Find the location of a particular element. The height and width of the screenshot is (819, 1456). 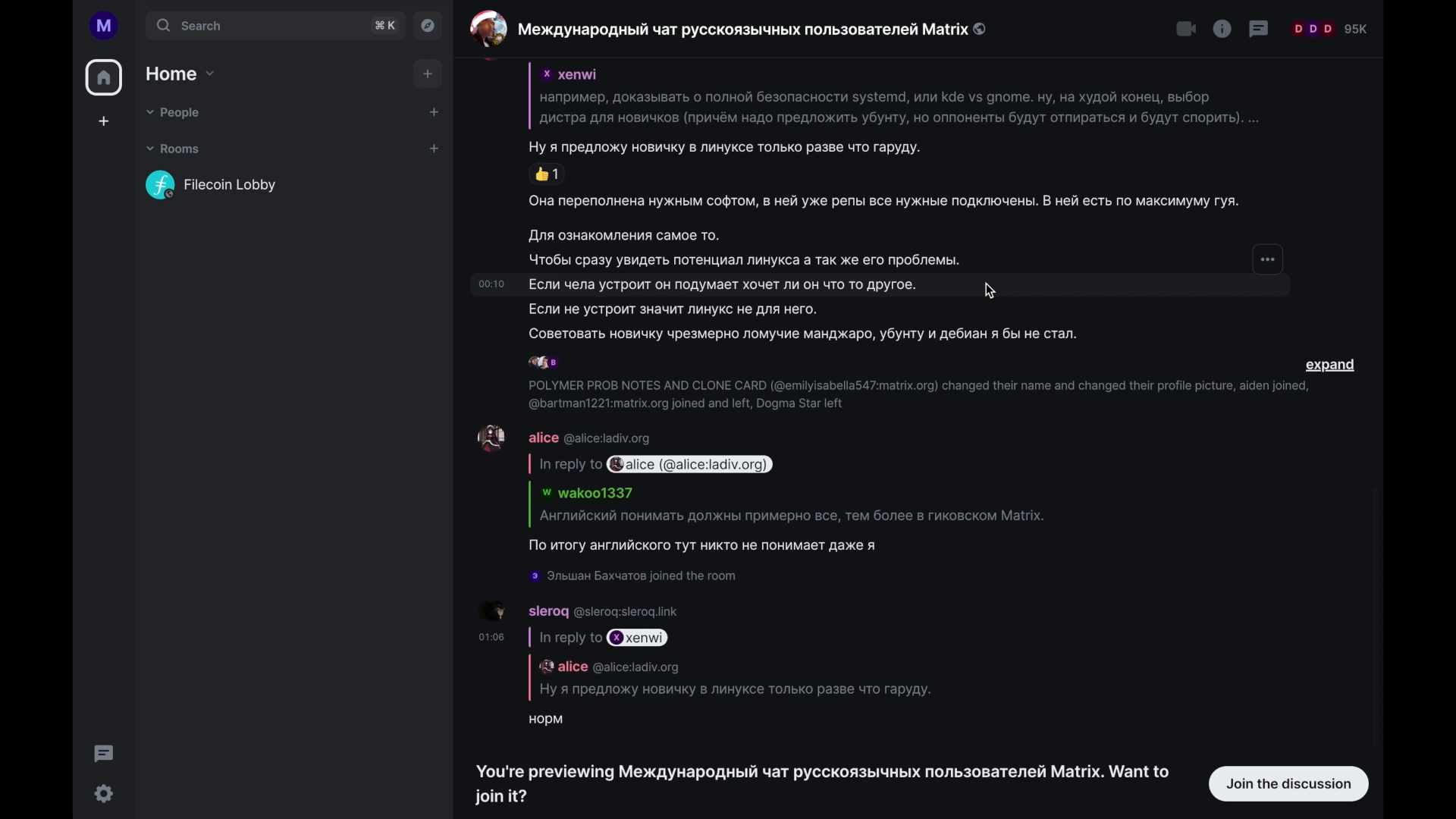

add is located at coordinates (435, 112).